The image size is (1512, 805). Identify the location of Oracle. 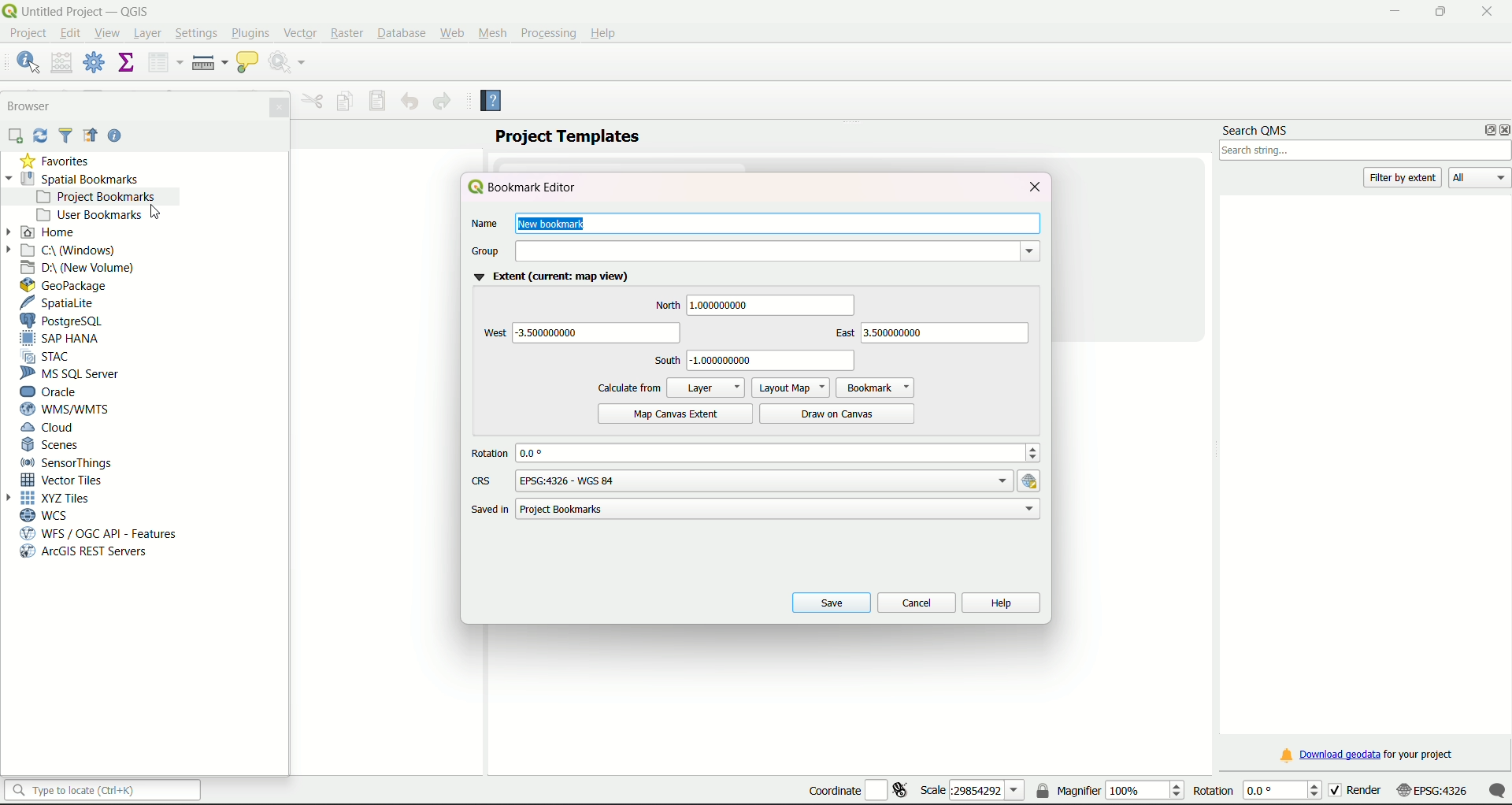
(57, 391).